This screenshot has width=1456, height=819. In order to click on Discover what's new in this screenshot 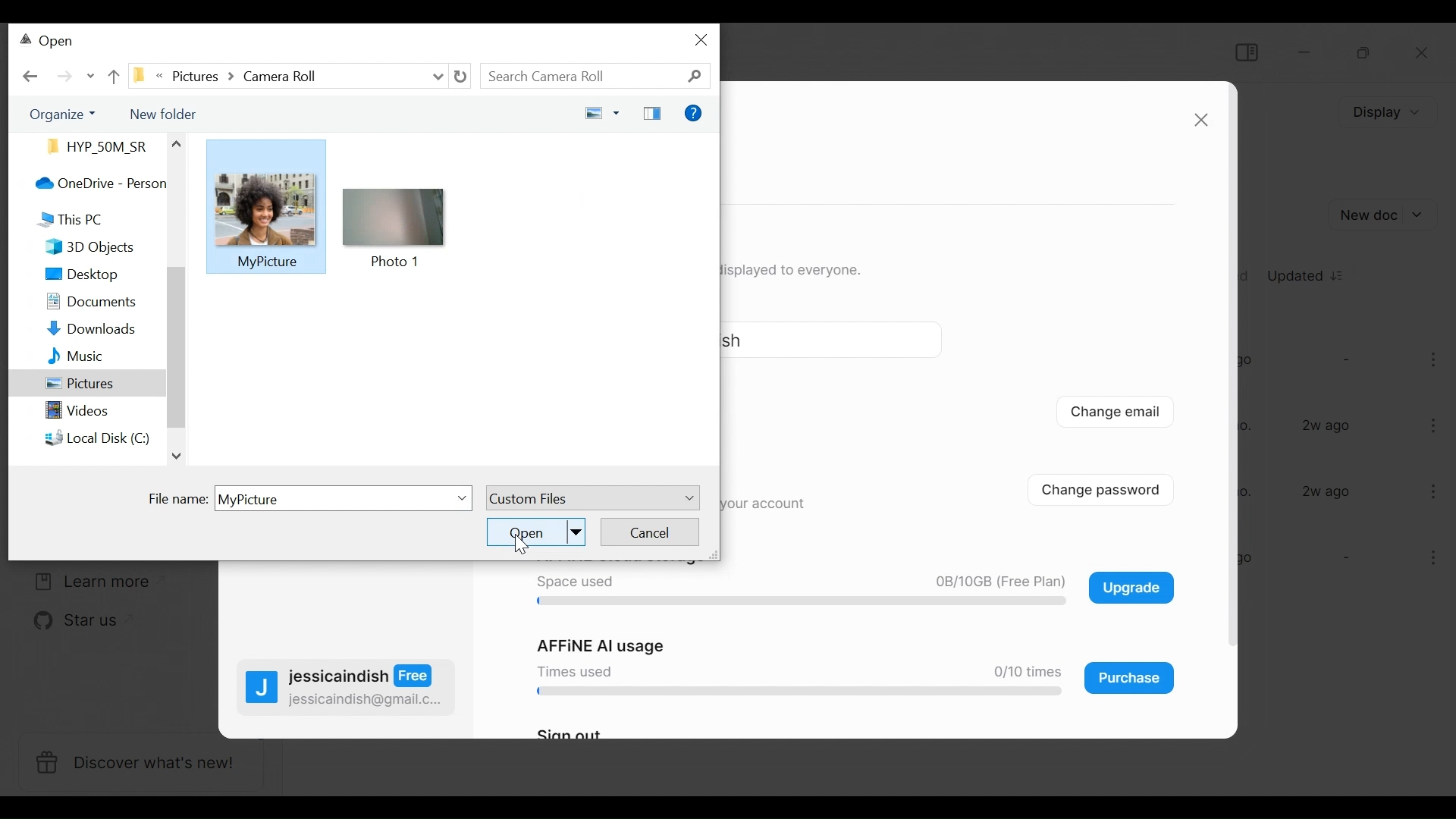, I will do `click(140, 764)`.